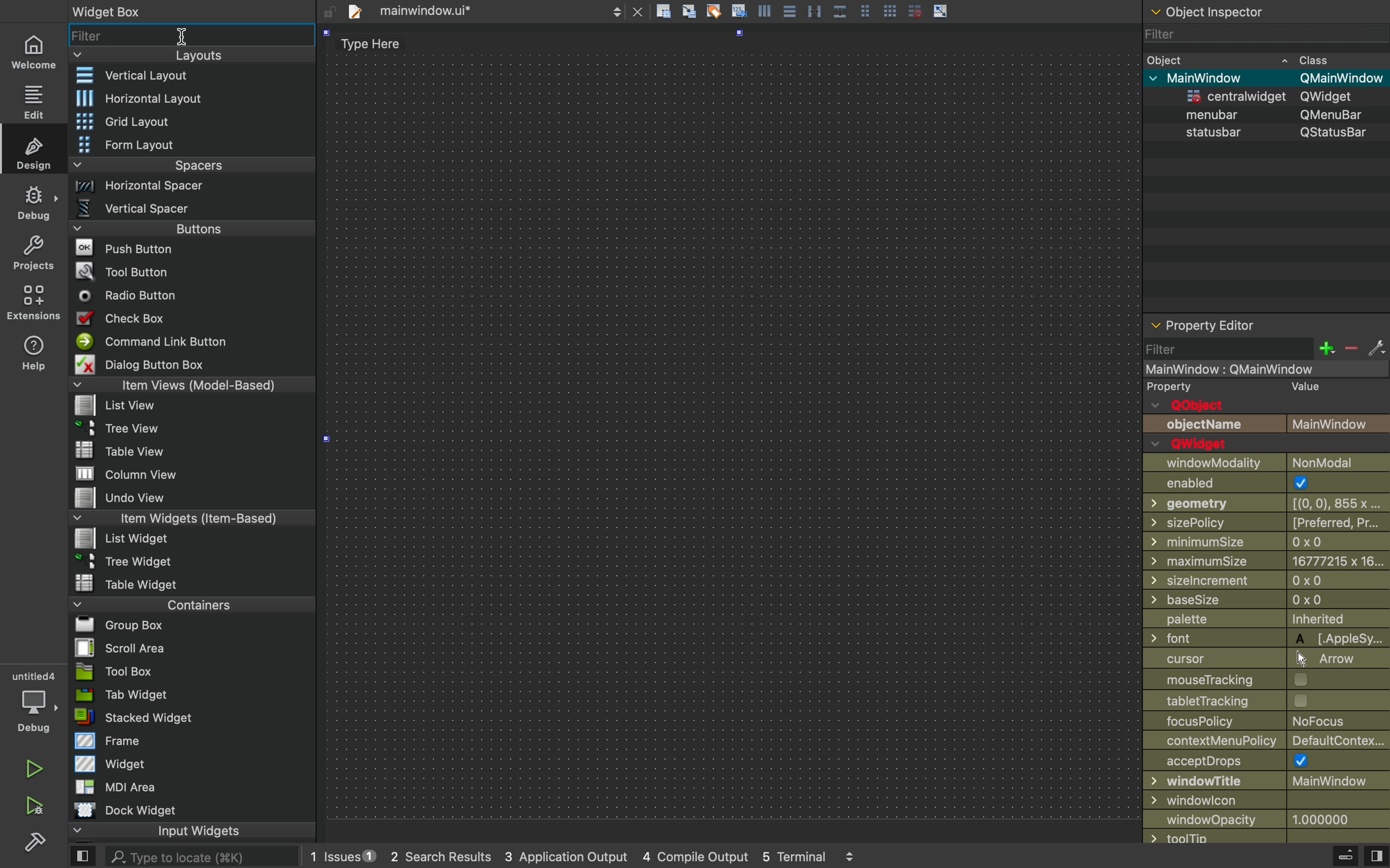 This screenshot has height=868, width=1390. I want to click on frame, so click(190, 742).